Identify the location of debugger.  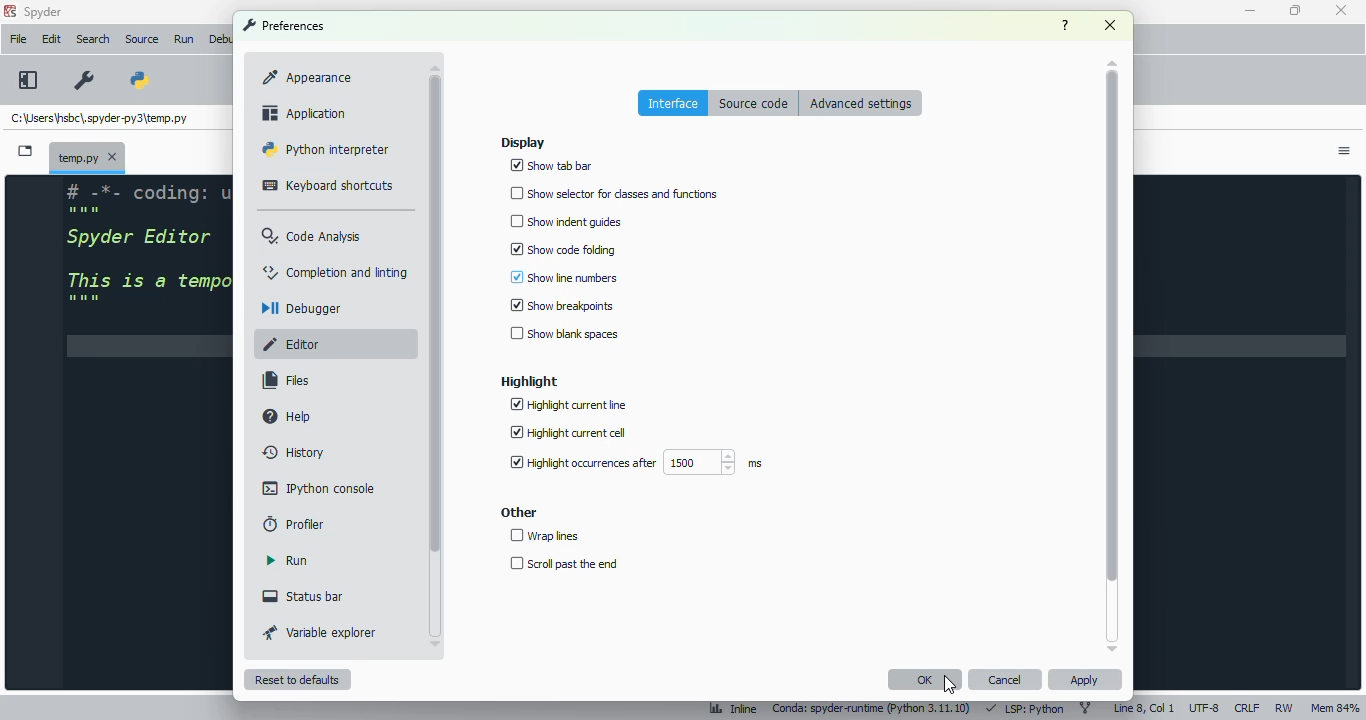
(304, 308).